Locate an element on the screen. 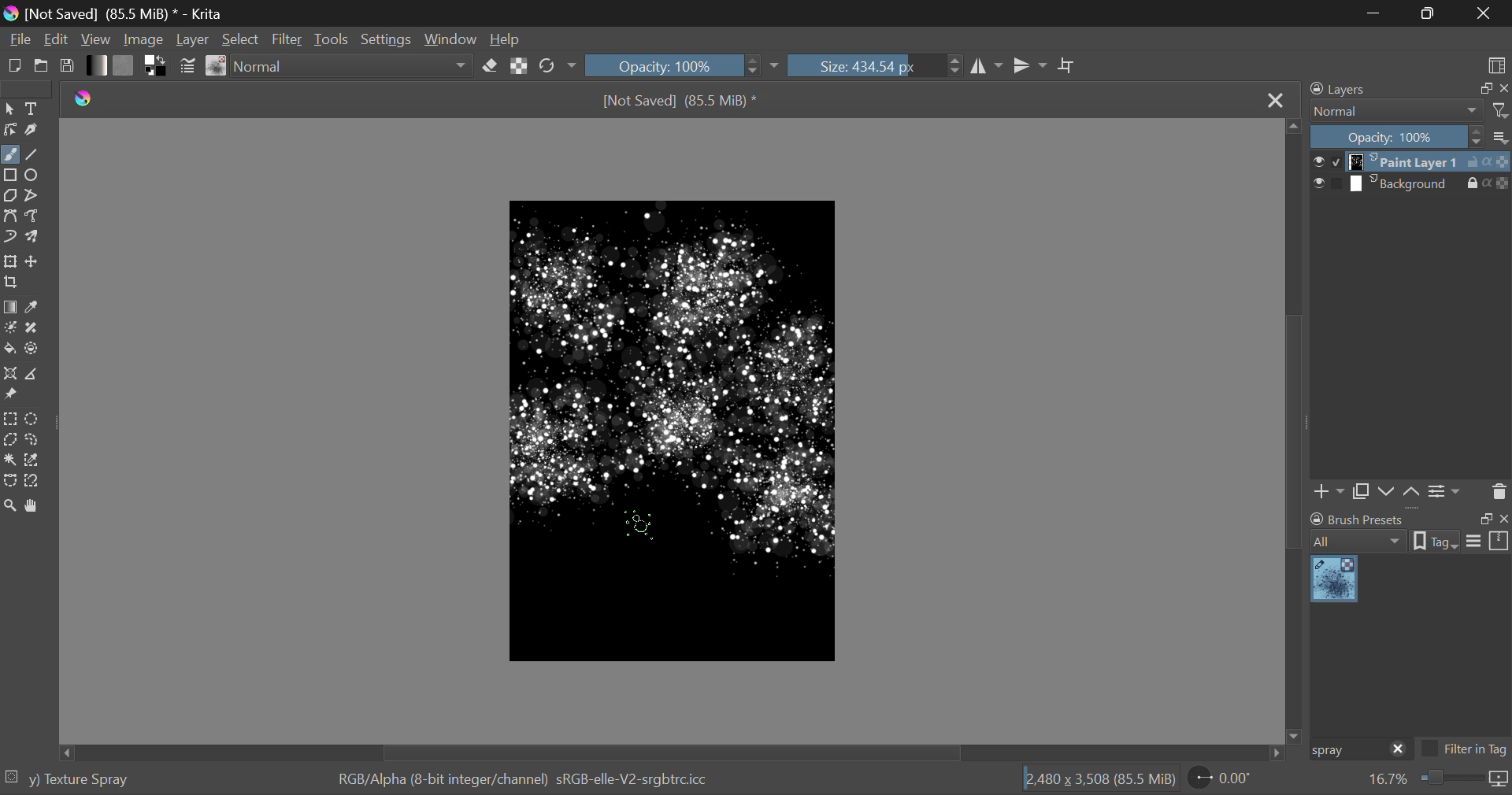 The height and width of the screenshot is (795, 1512). Bezier Curve Selection is located at coordinates (11, 482).